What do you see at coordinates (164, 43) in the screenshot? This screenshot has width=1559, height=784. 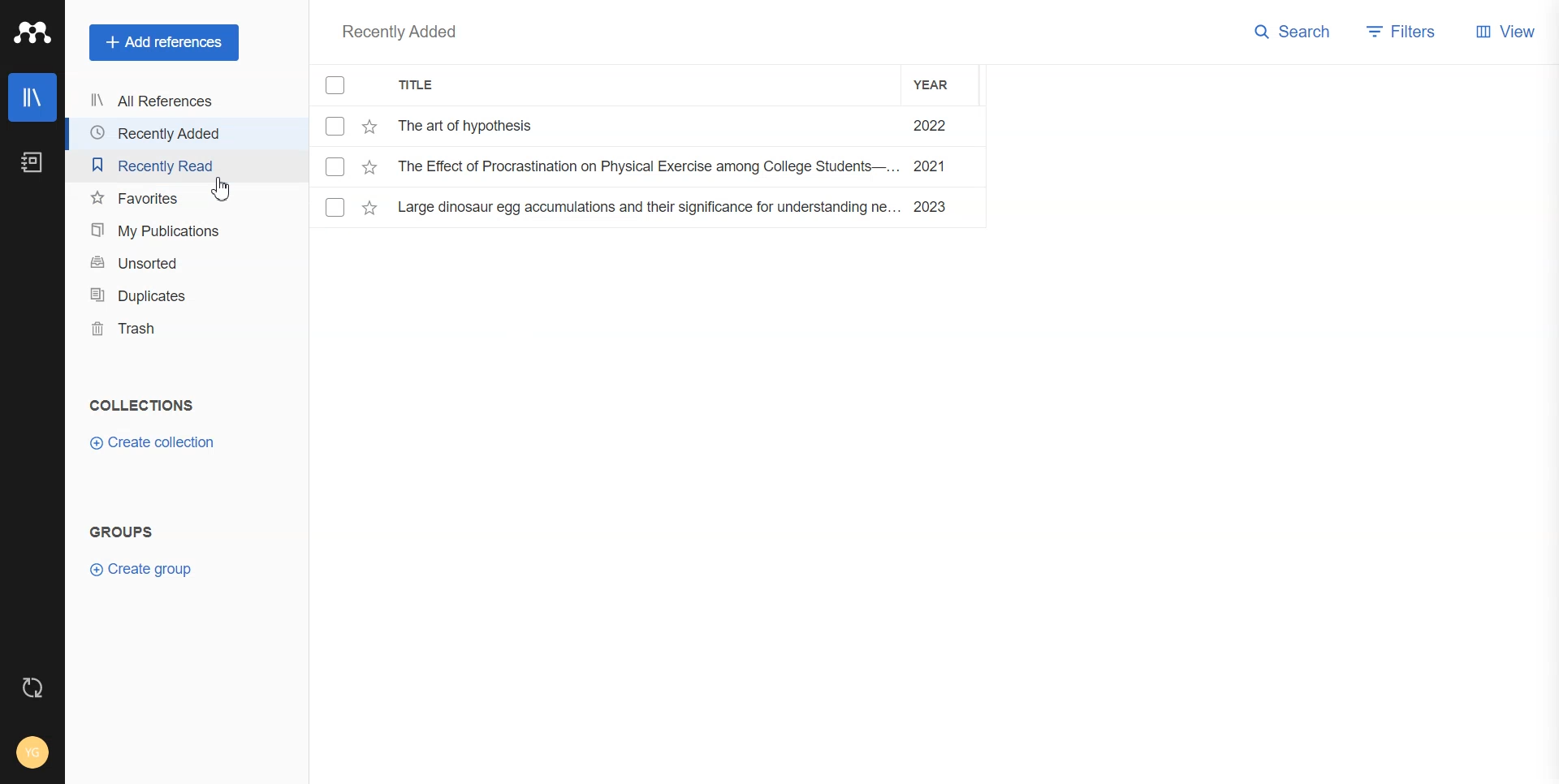 I see `Add references` at bounding box center [164, 43].